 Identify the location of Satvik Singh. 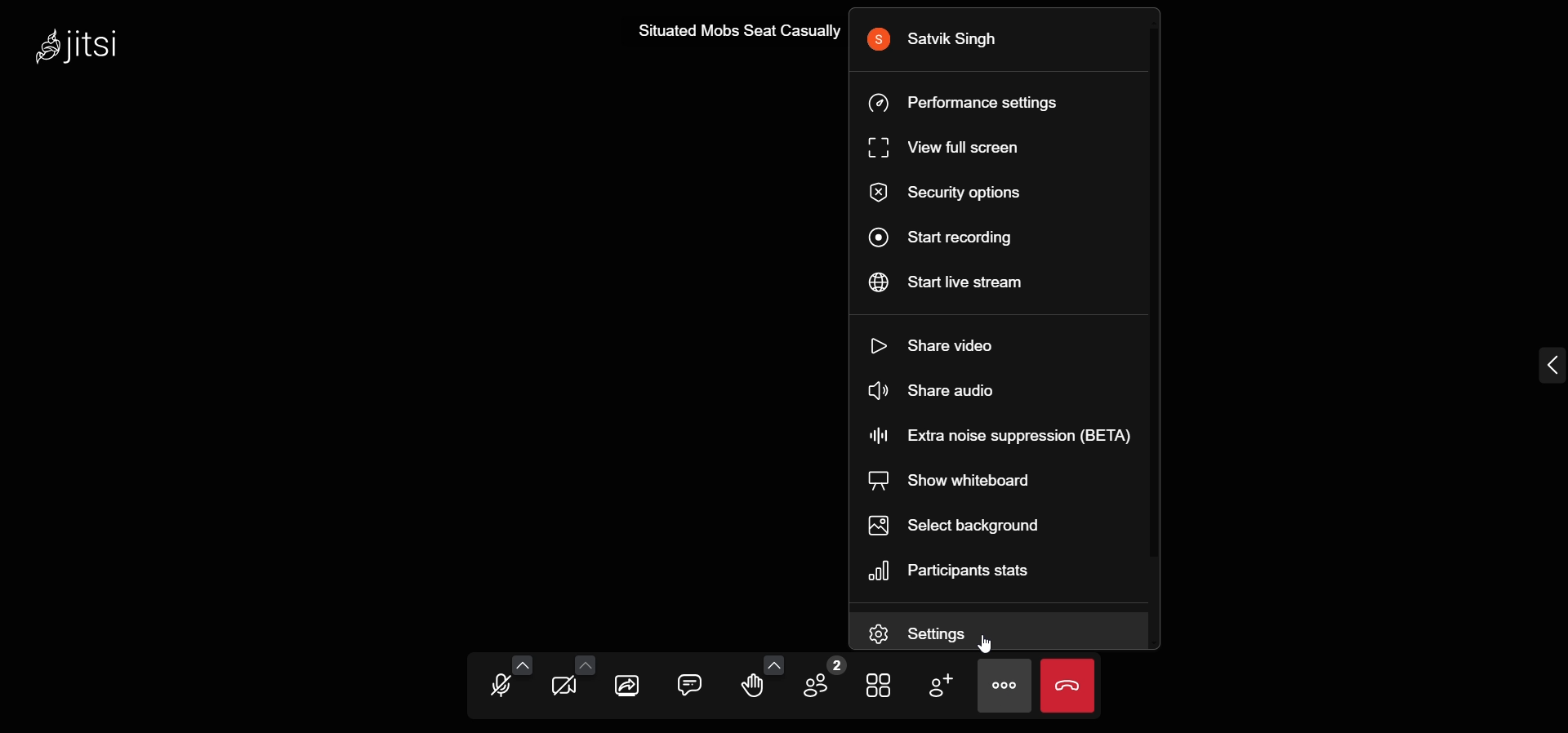
(947, 38).